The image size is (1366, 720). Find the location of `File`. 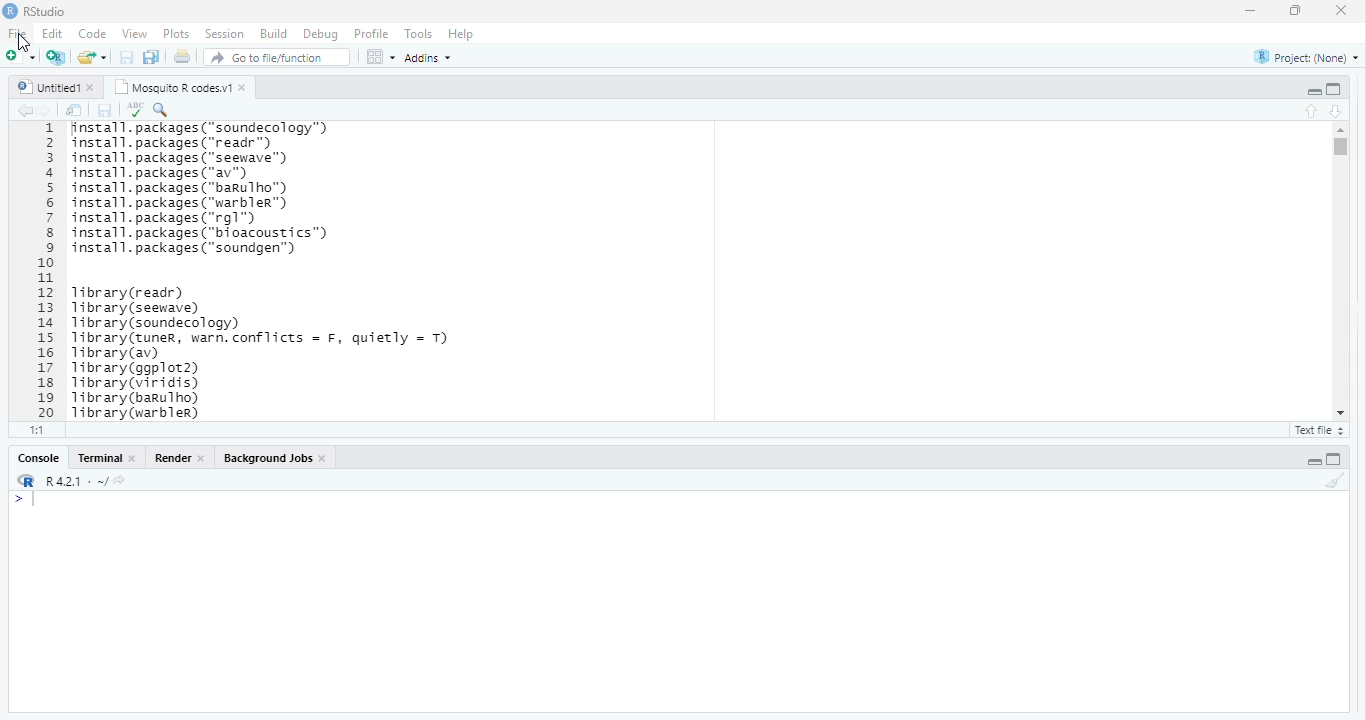

File is located at coordinates (20, 34).